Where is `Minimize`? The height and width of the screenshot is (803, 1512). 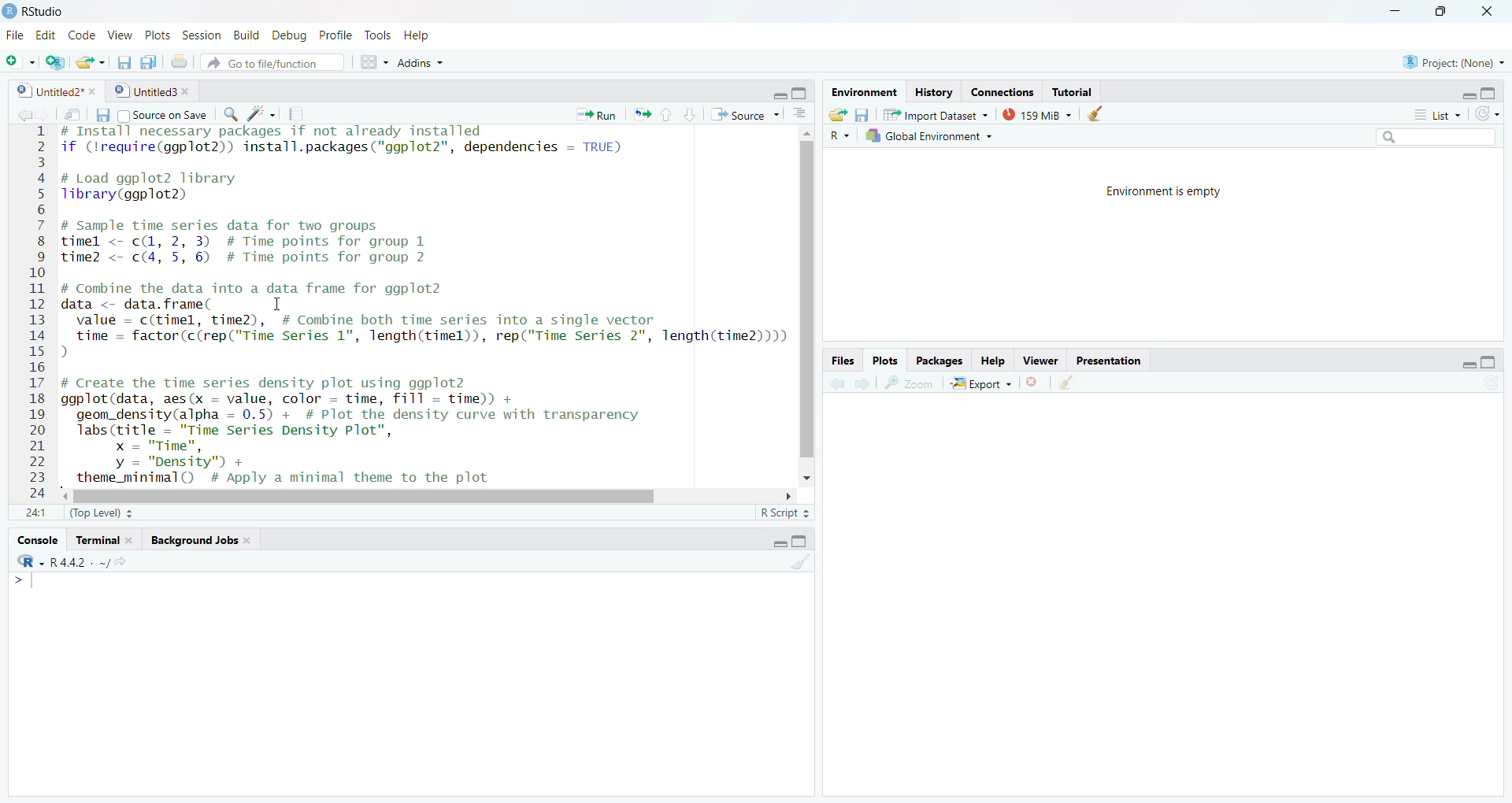 Minimize is located at coordinates (1466, 93).